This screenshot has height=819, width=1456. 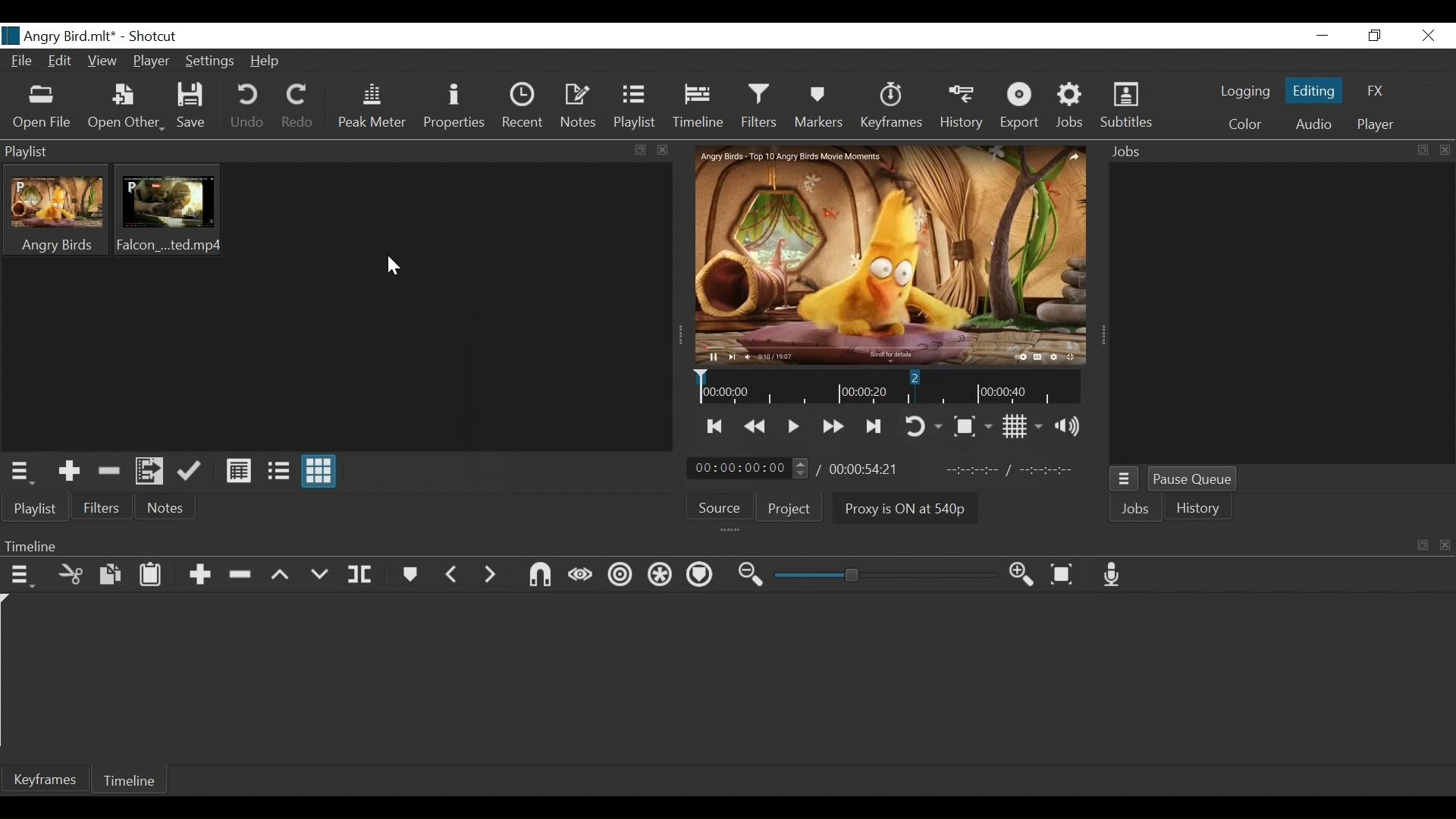 What do you see at coordinates (1018, 574) in the screenshot?
I see `Zoom timeline in` at bounding box center [1018, 574].